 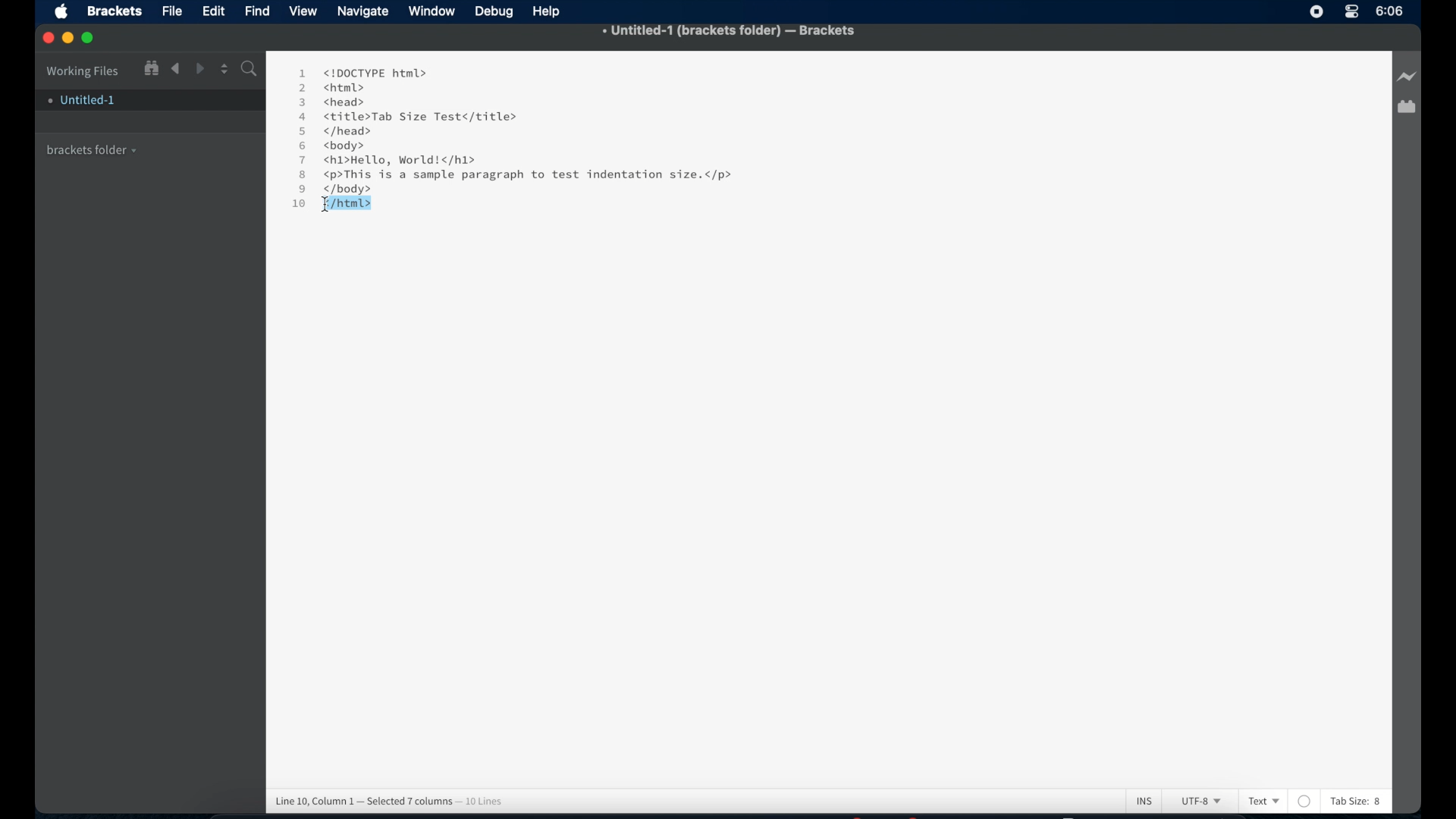 What do you see at coordinates (80, 100) in the screenshot?
I see `. Untitled-1` at bounding box center [80, 100].